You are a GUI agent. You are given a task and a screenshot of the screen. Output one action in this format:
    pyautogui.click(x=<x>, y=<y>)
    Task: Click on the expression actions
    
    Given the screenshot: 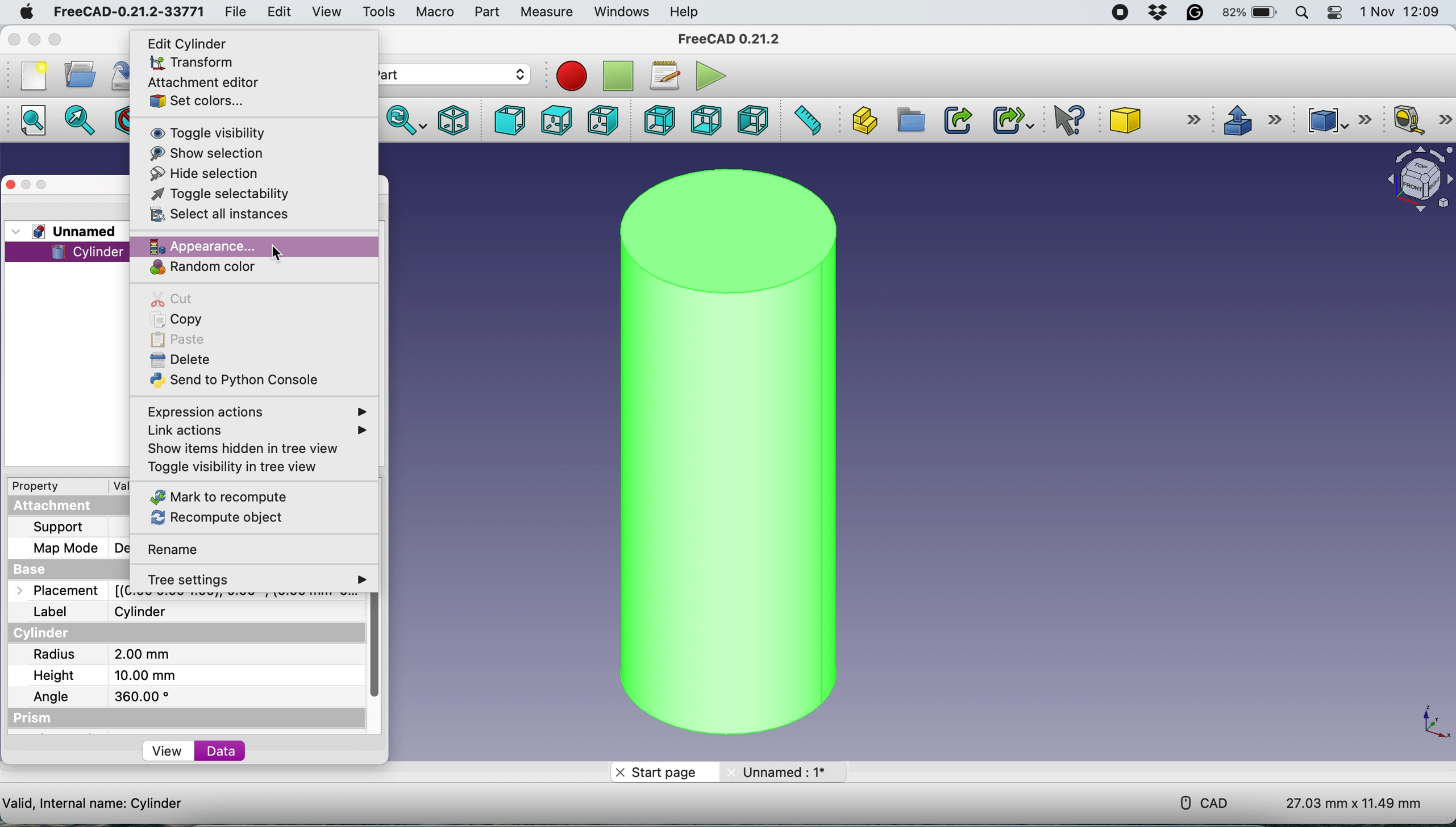 What is the action you would take?
    pyautogui.click(x=259, y=412)
    